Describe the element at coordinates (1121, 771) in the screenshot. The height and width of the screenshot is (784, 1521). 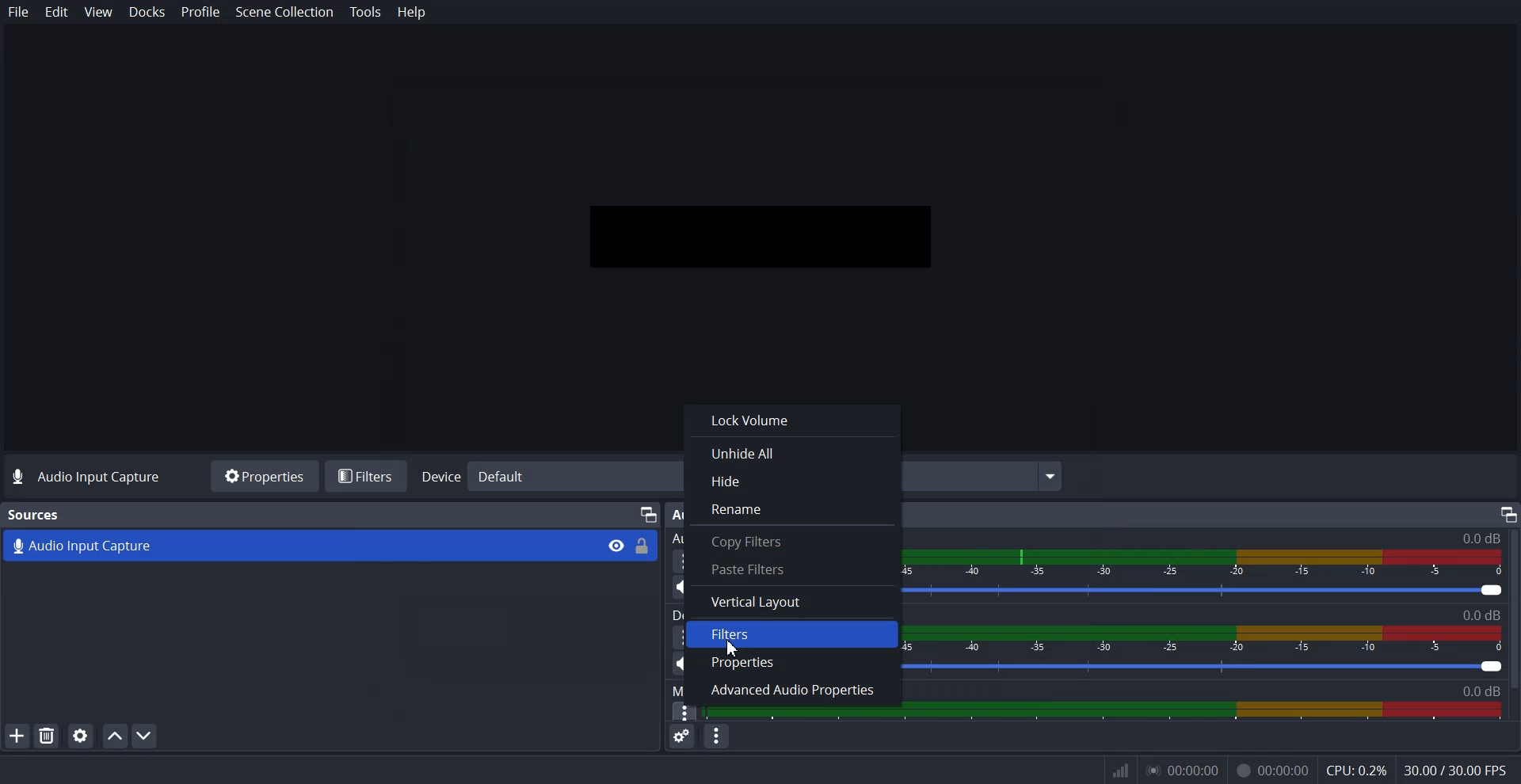
I see `Inf` at that location.